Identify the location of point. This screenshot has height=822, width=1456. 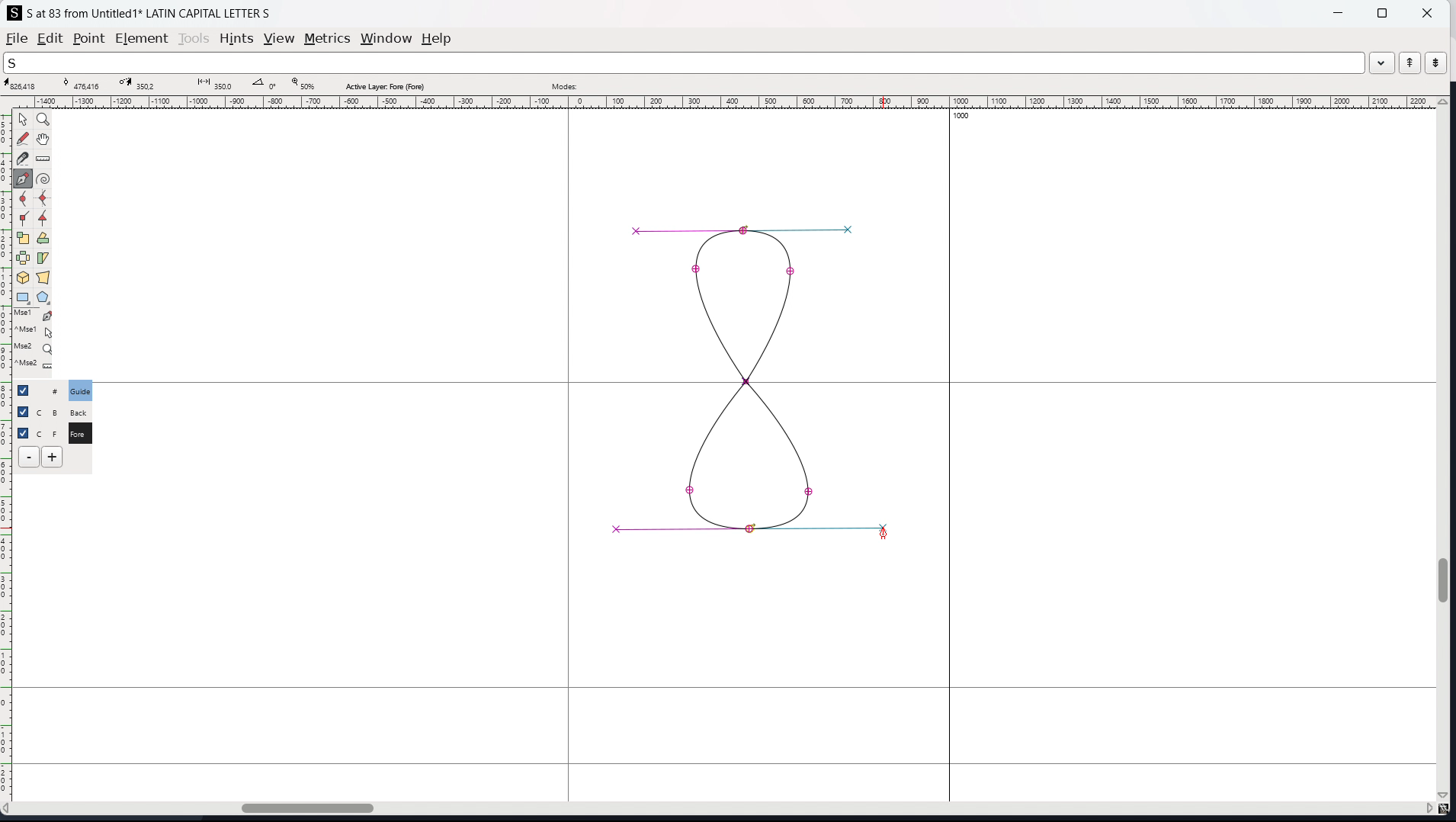
(88, 40).